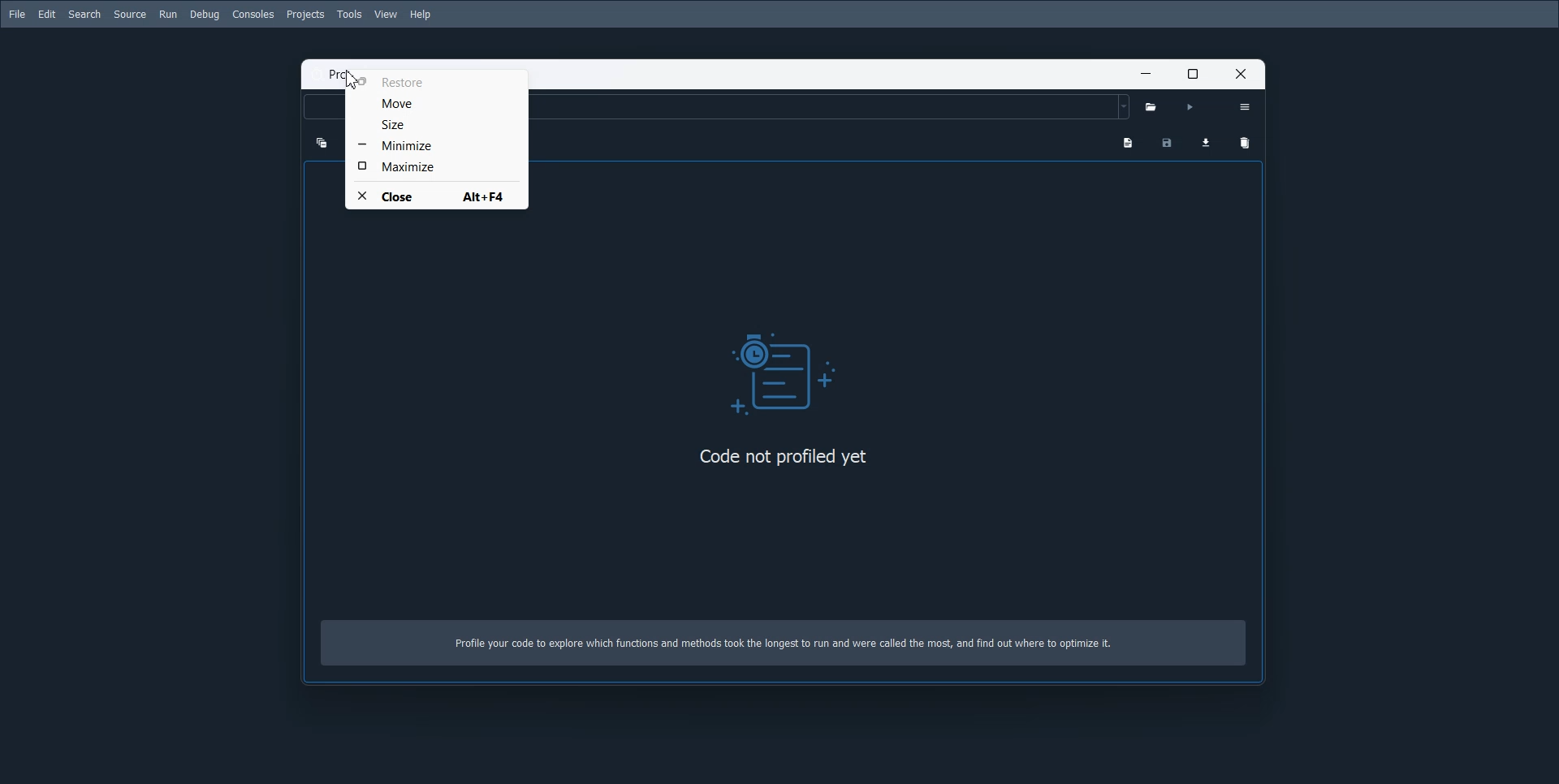  I want to click on Restore, so click(434, 84).